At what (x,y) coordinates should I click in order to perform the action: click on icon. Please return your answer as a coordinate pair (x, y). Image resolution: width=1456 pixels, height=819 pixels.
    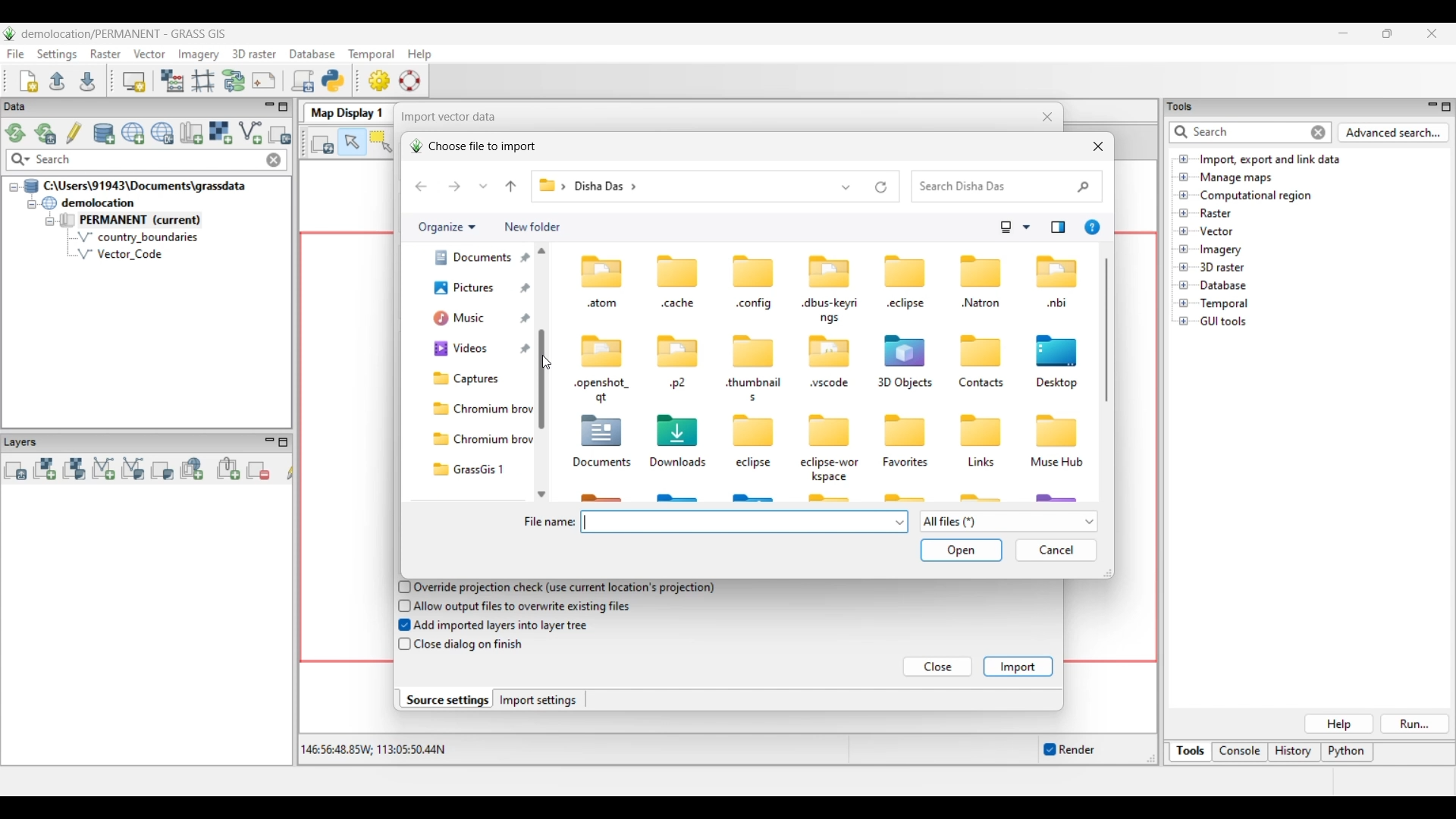
    Looking at the image, I should click on (598, 269).